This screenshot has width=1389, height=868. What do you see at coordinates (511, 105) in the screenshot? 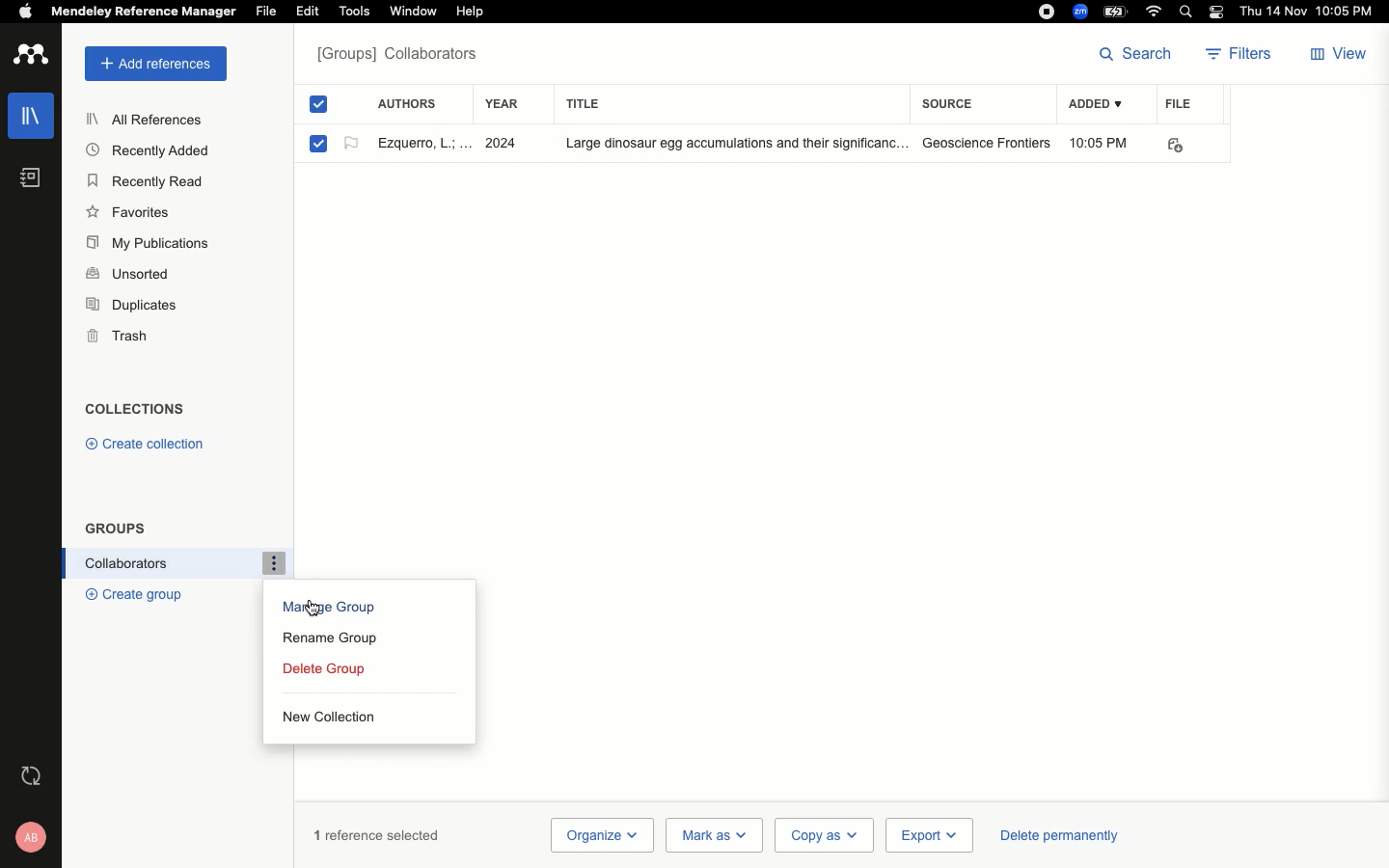
I see `Year` at bounding box center [511, 105].